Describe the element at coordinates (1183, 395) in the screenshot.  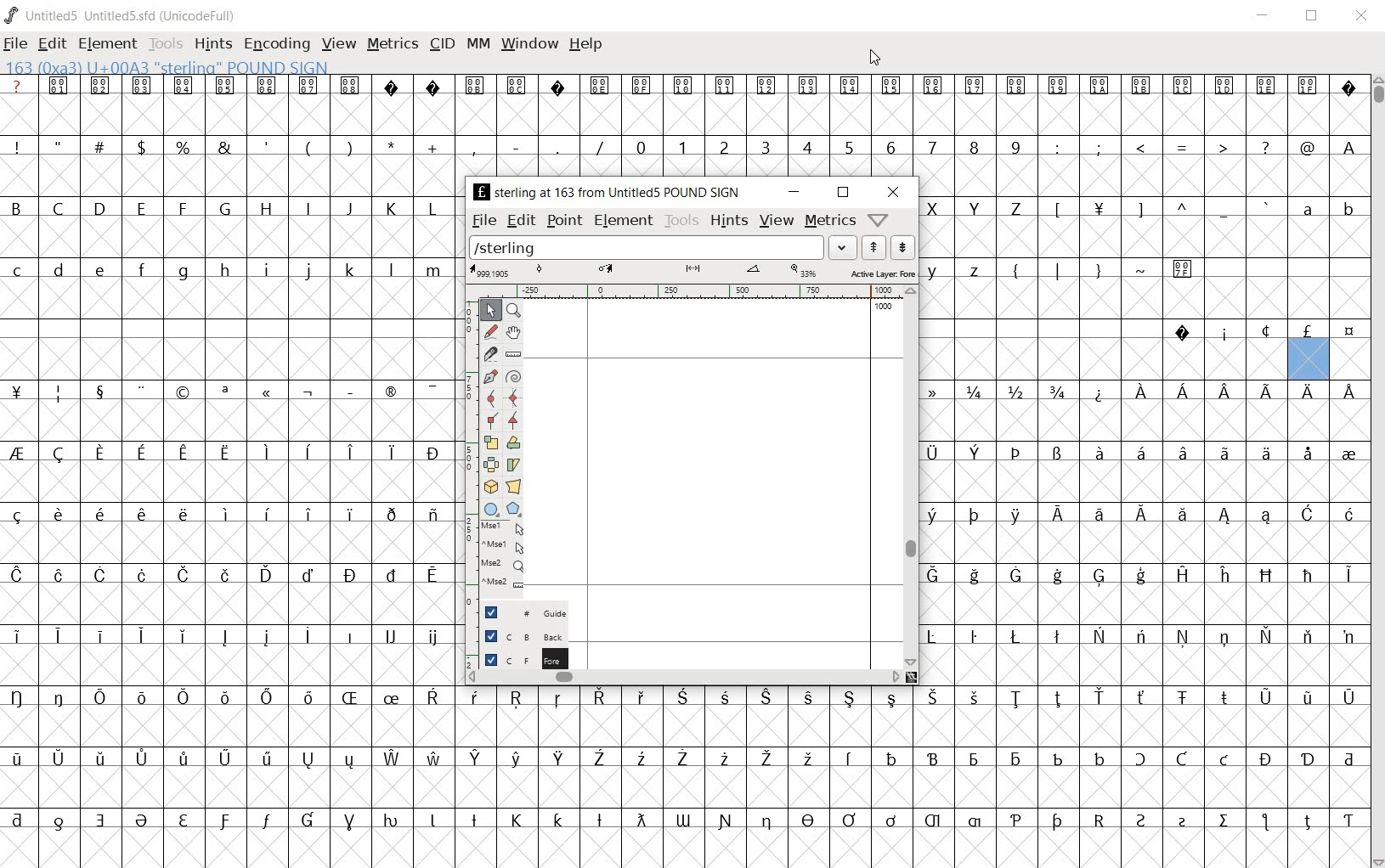
I see `Symbol` at that location.